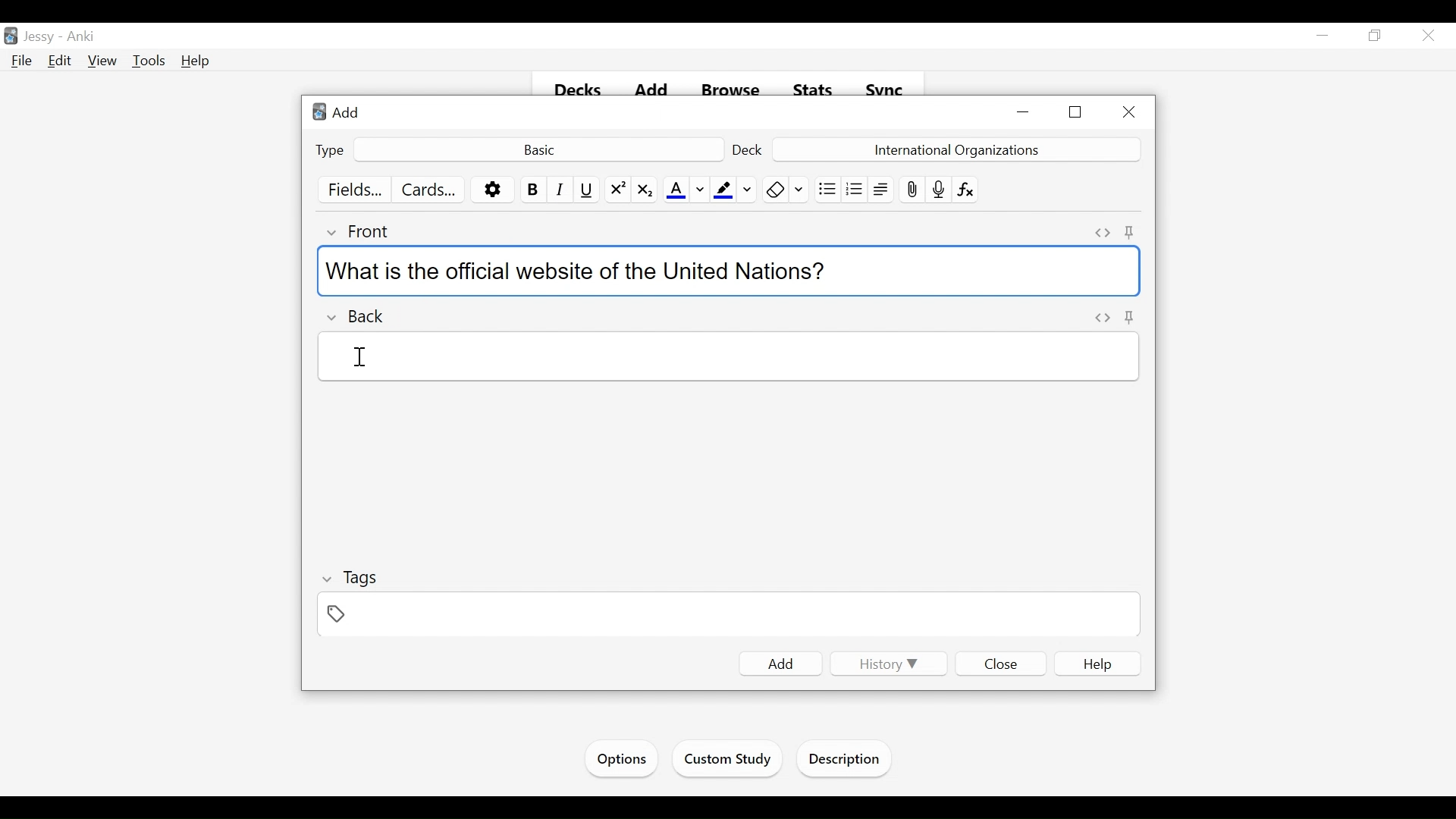 This screenshot has height=819, width=1456. I want to click on Back, so click(356, 317).